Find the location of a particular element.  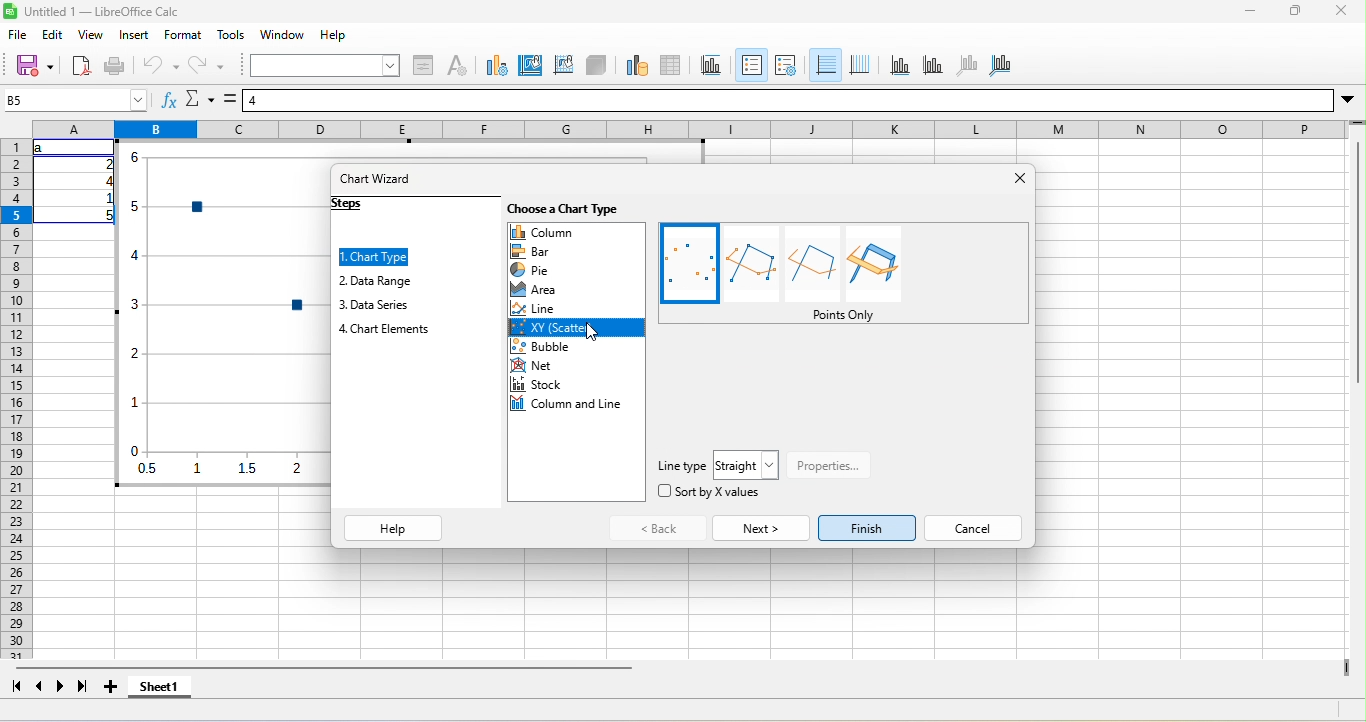

data table is located at coordinates (671, 67).